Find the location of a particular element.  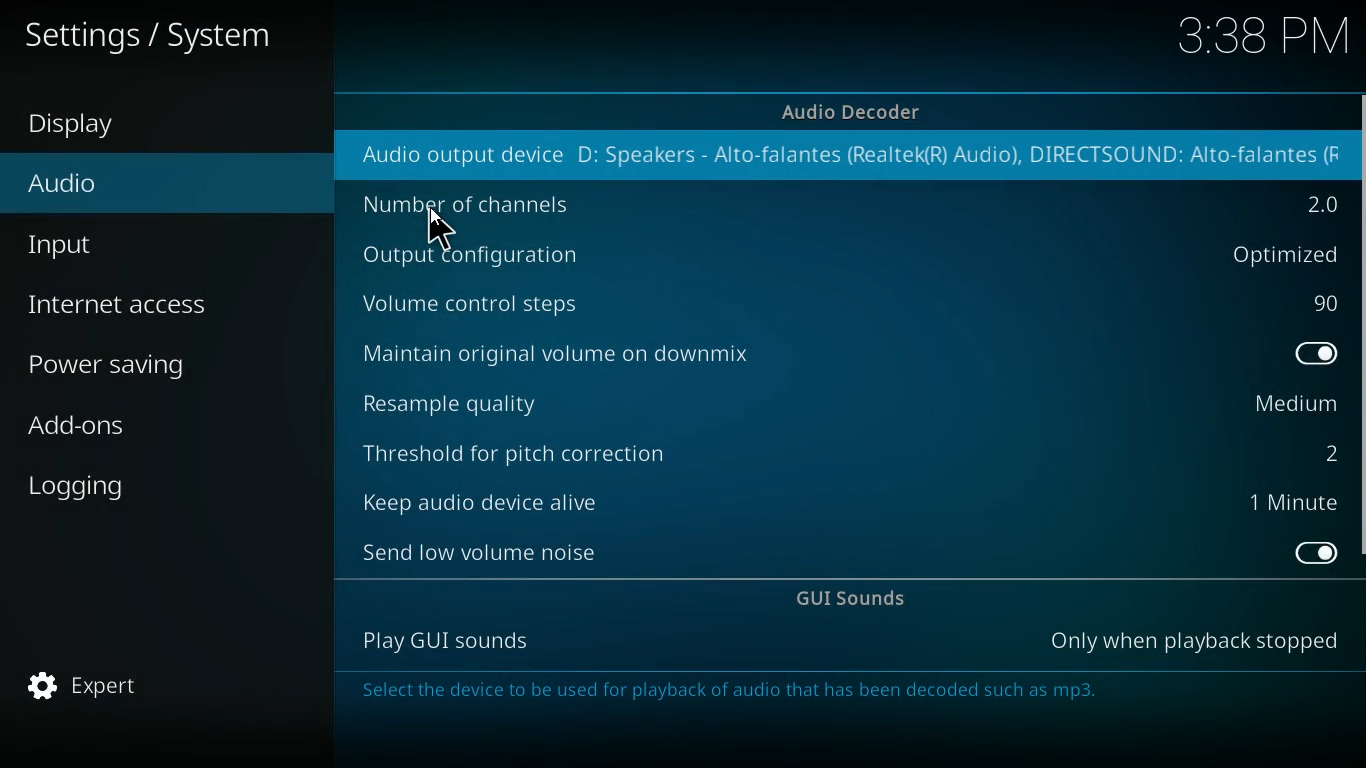

send low volume noise is located at coordinates (485, 550).